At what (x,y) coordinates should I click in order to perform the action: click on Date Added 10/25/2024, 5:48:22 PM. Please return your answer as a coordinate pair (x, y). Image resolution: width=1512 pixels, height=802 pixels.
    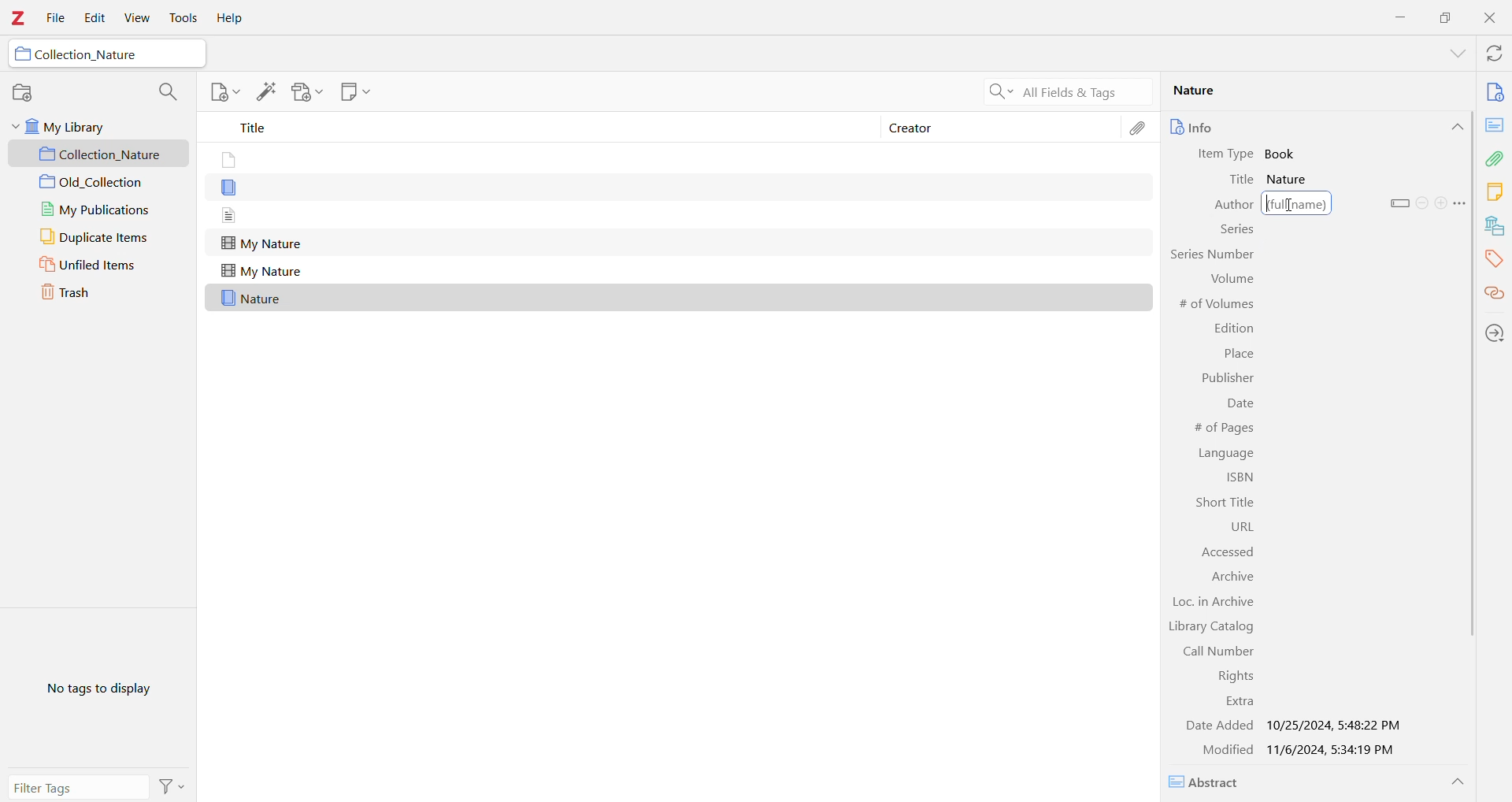
    Looking at the image, I should click on (1293, 726).